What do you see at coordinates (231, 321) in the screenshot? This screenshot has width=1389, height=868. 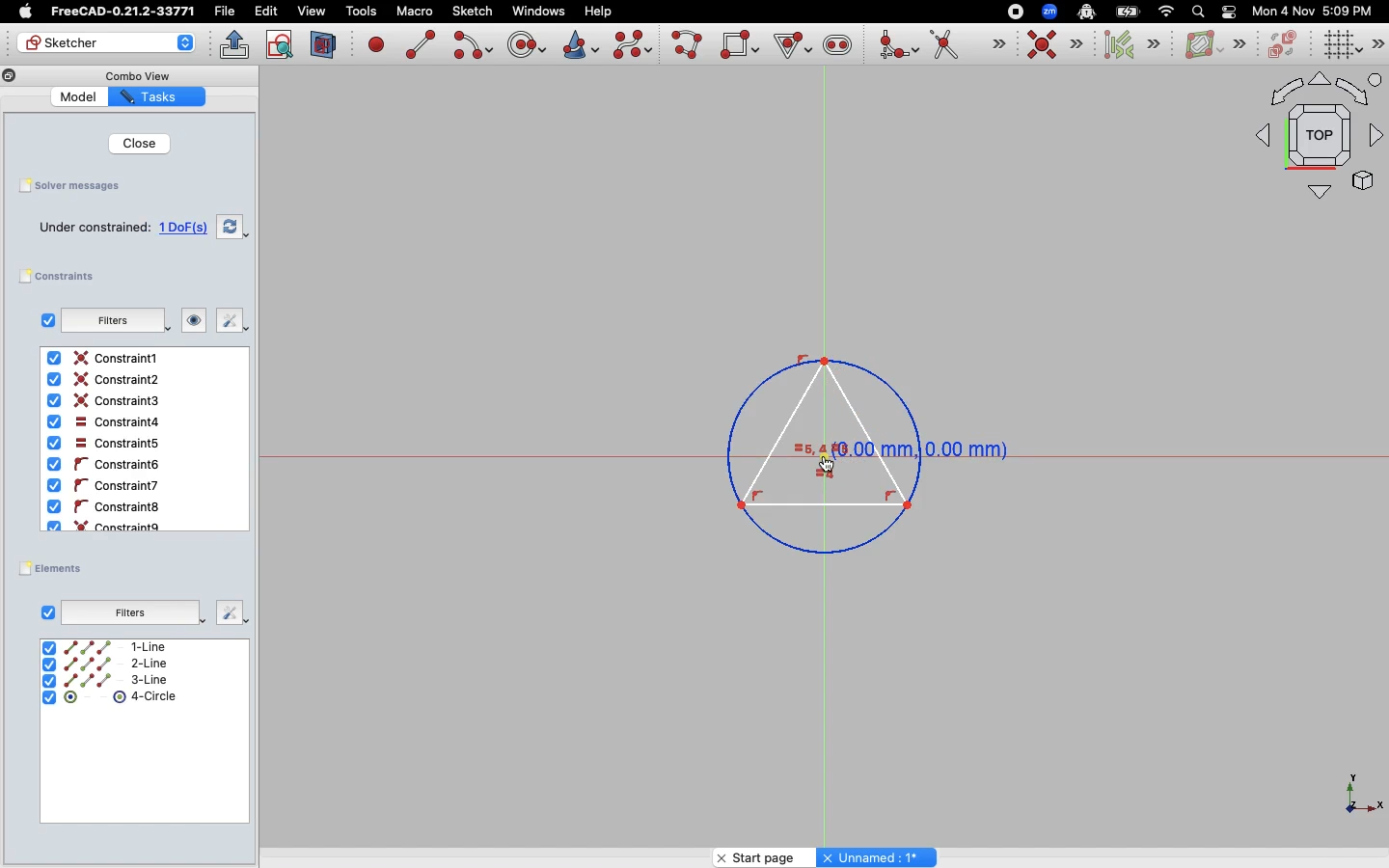 I see `Fix` at bounding box center [231, 321].